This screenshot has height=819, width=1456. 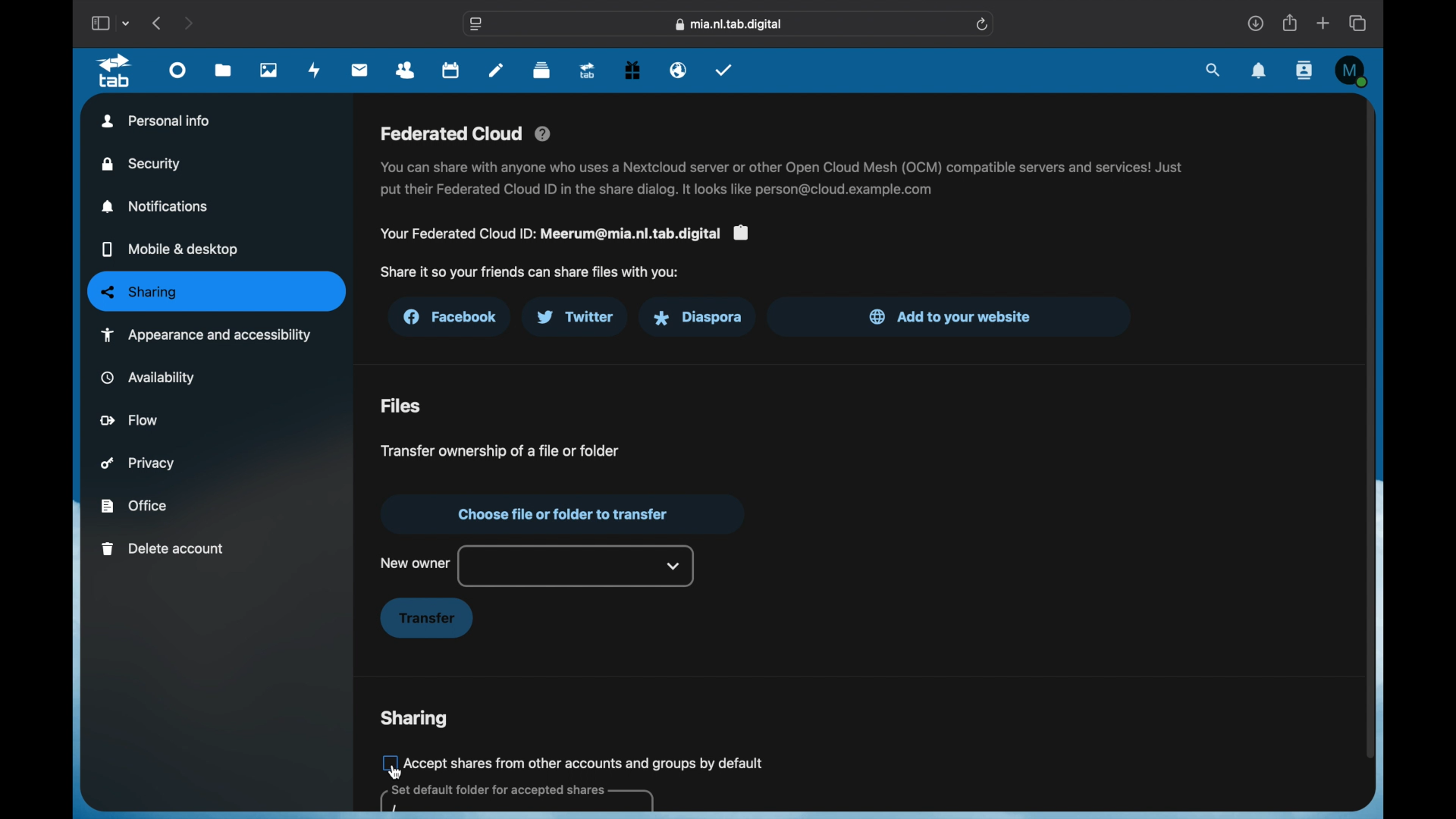 What do you see at coordinates (632, 71) in the screenshot?
I see `free trial` at bounding box center [632, 71].